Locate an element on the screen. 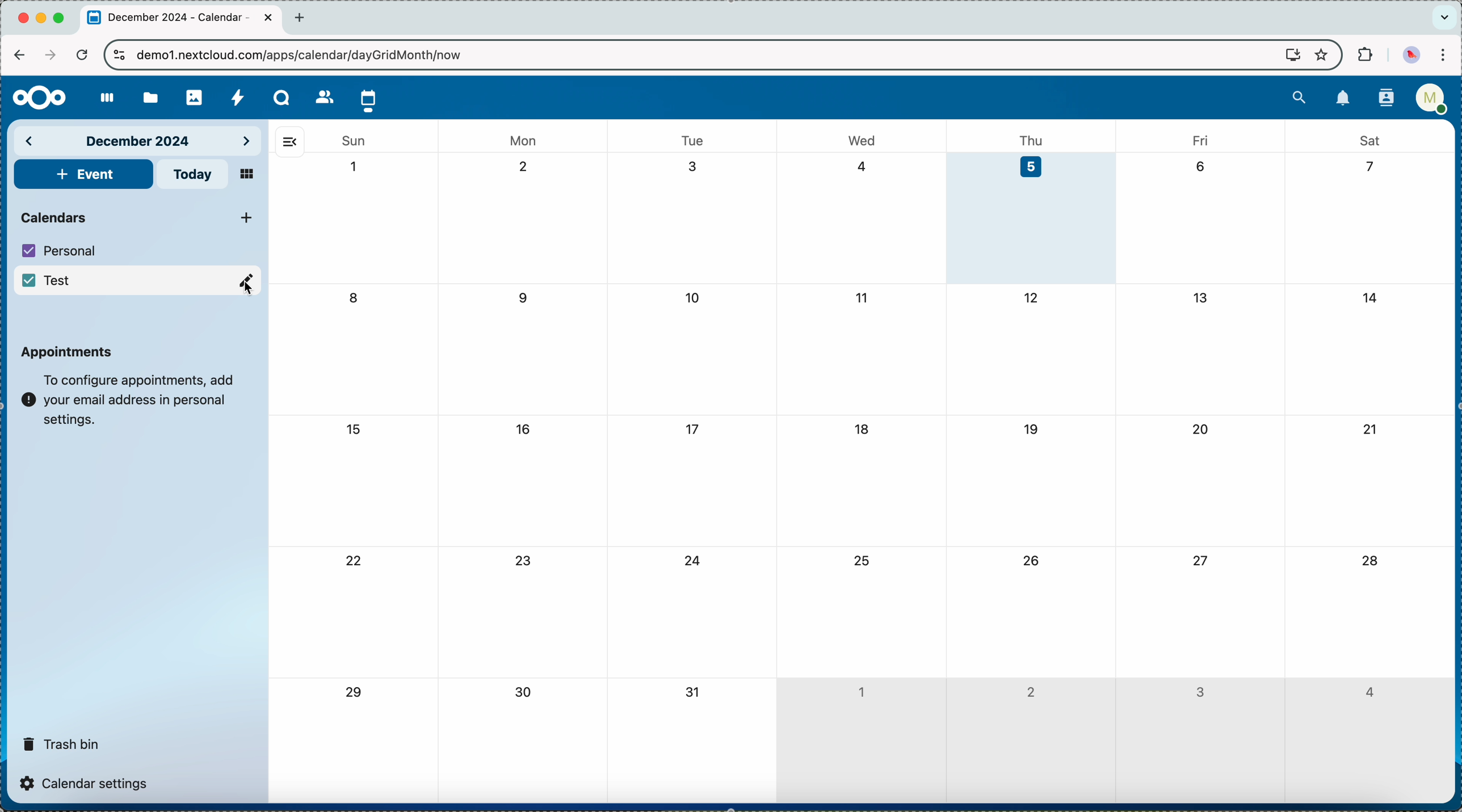 The height and width of the screenshot is (812, 1462). files is located at coordinates (149, 96).